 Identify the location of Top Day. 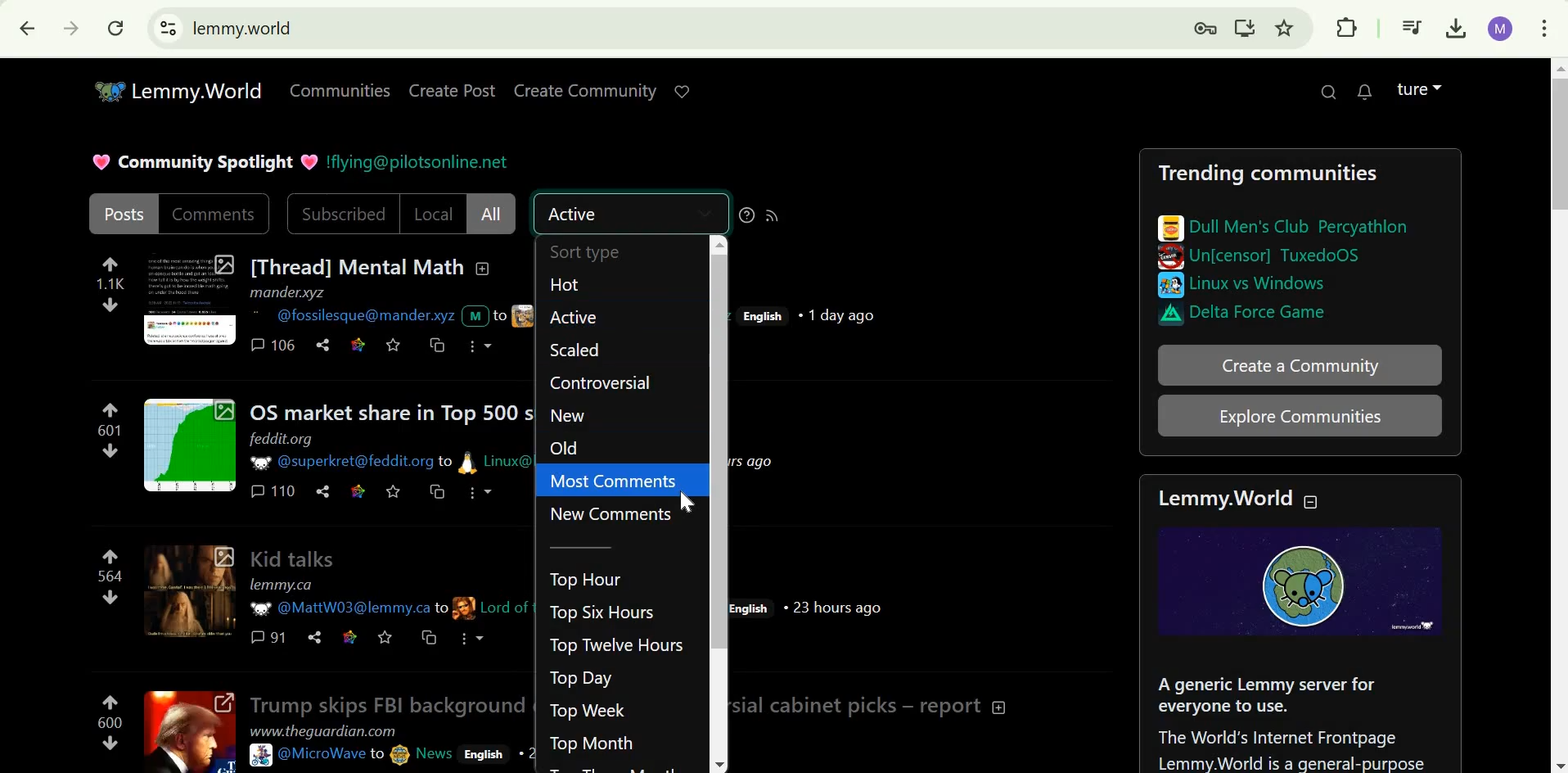
(579, 678).